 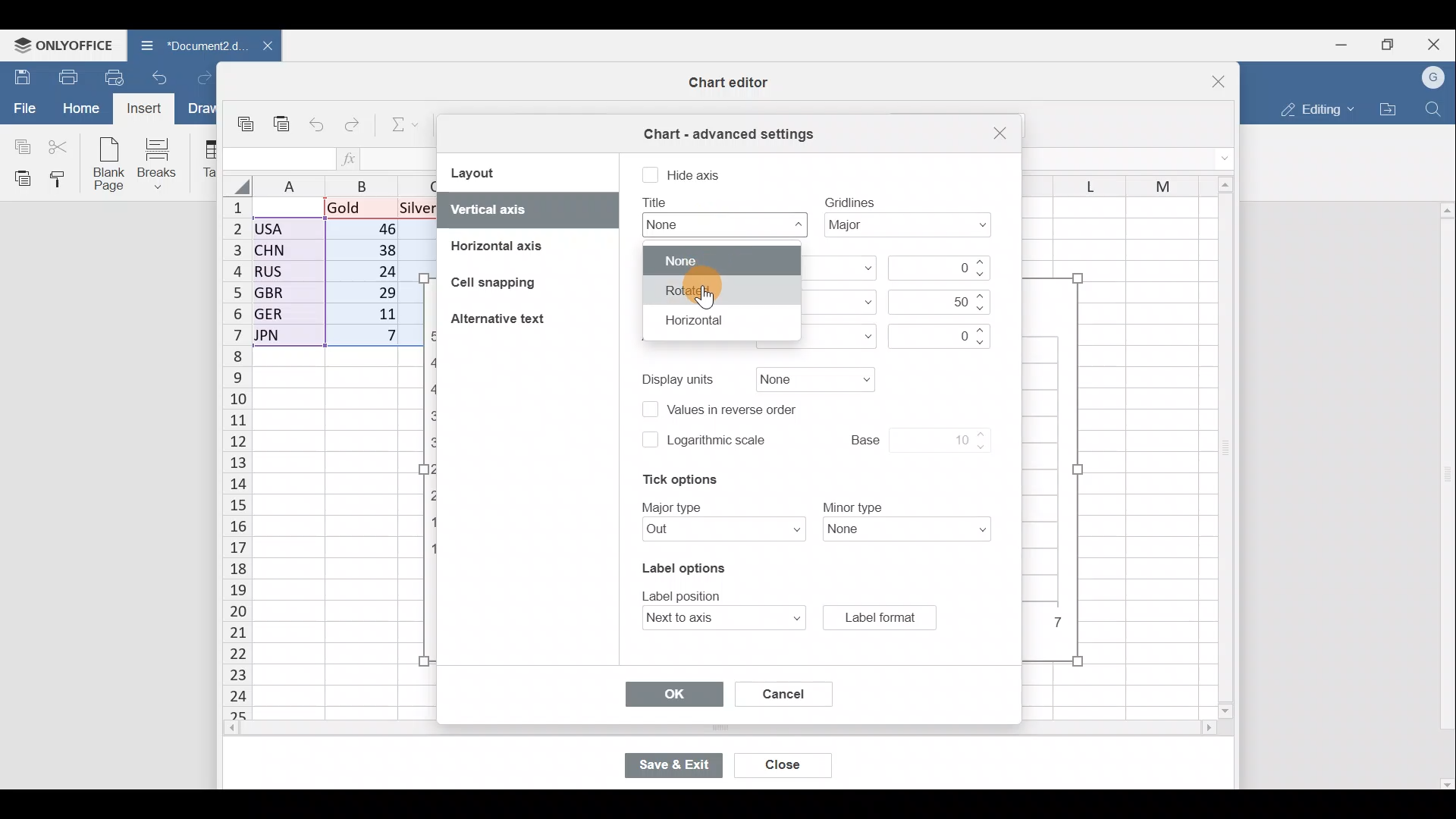 I want to click on File, so click(x=21, y=108).